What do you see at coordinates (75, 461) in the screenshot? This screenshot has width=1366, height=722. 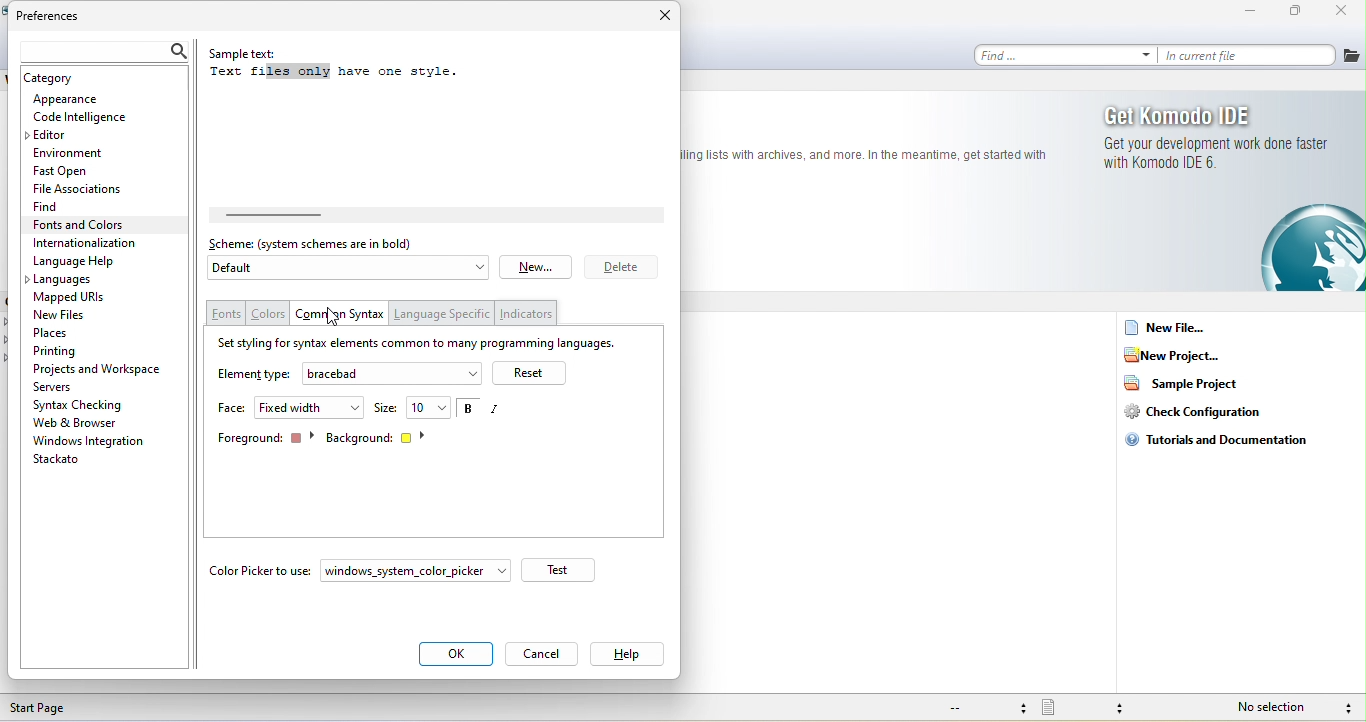 I see `stackato` at bounding box center [75, 461].